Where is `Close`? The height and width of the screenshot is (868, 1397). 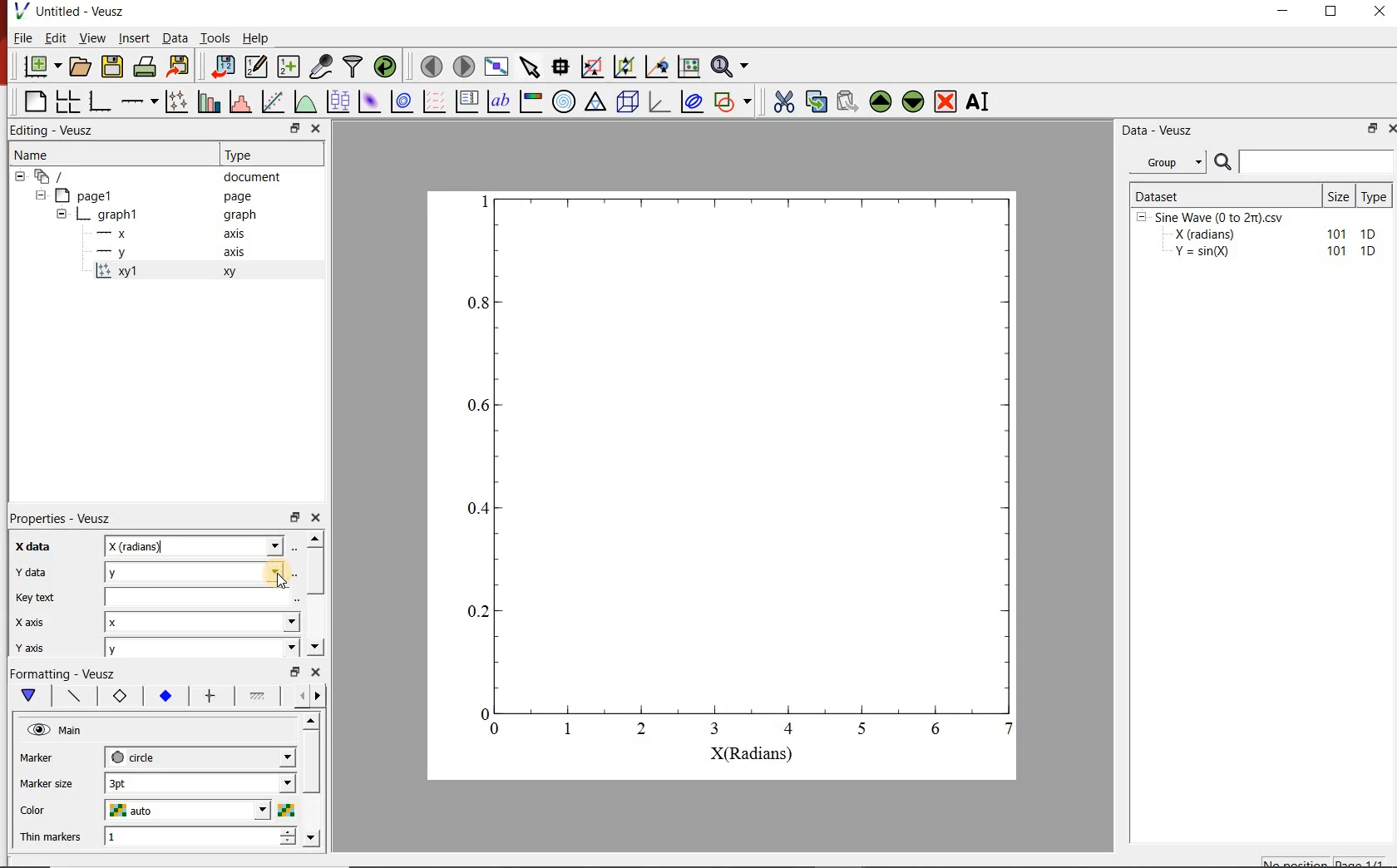
Close is located at coordinates (1381, 11).